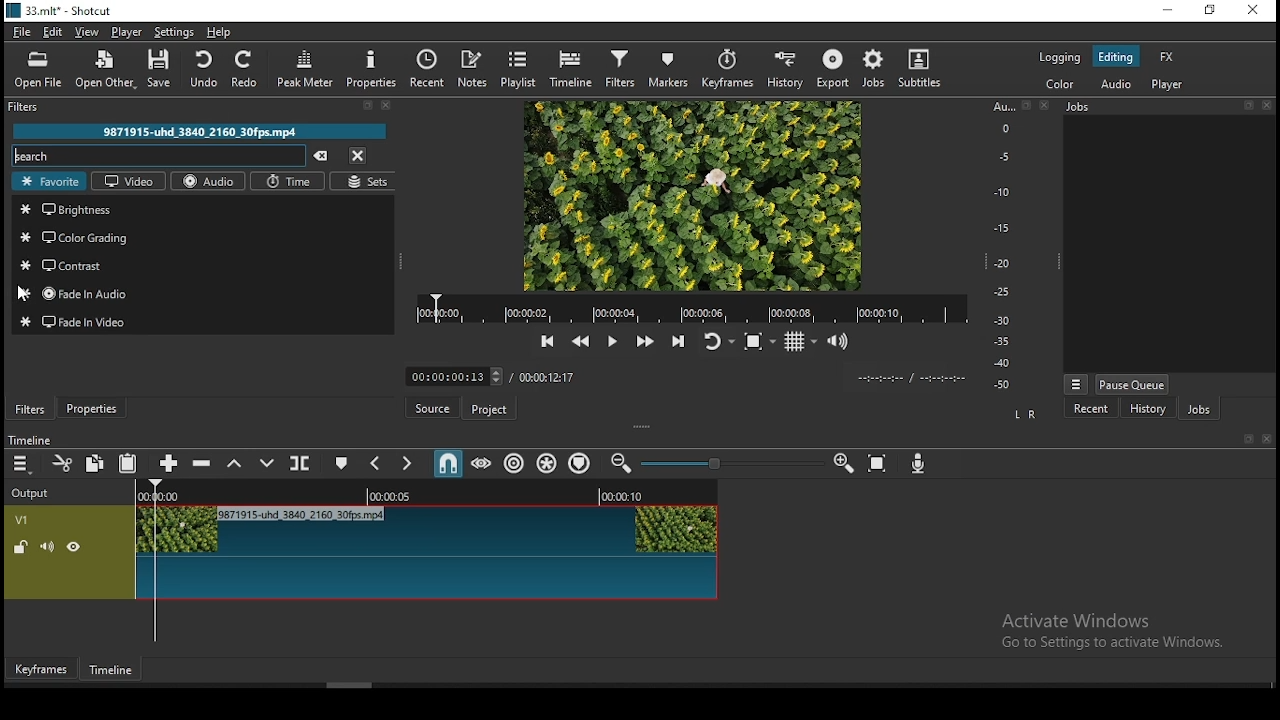  What do you see at coordinates (174, 30) in the screenshot?
I see `settings` at bounding box center [174, 30].